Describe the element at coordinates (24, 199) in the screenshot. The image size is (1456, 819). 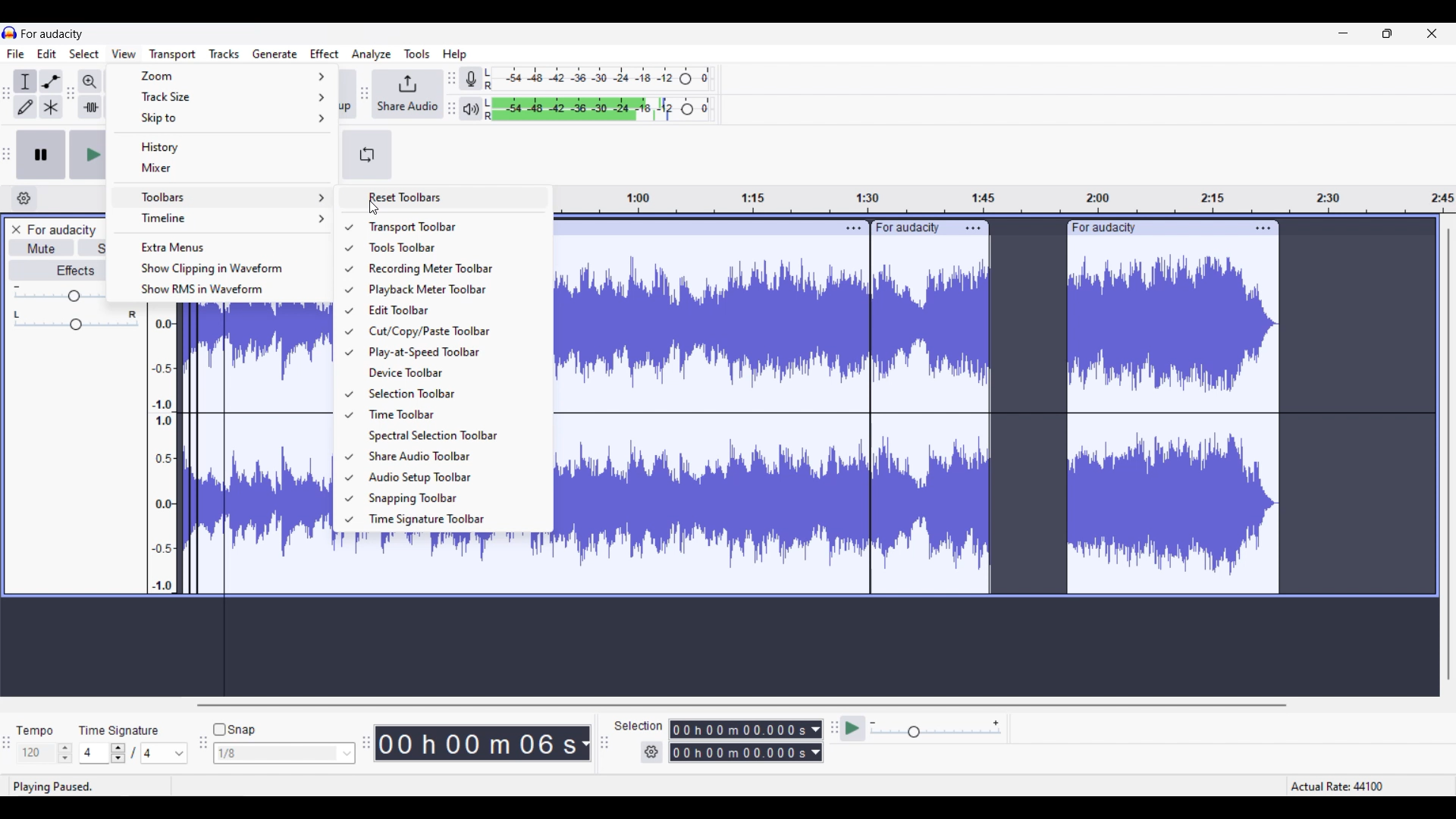
I see `Timeline settings` at that location.